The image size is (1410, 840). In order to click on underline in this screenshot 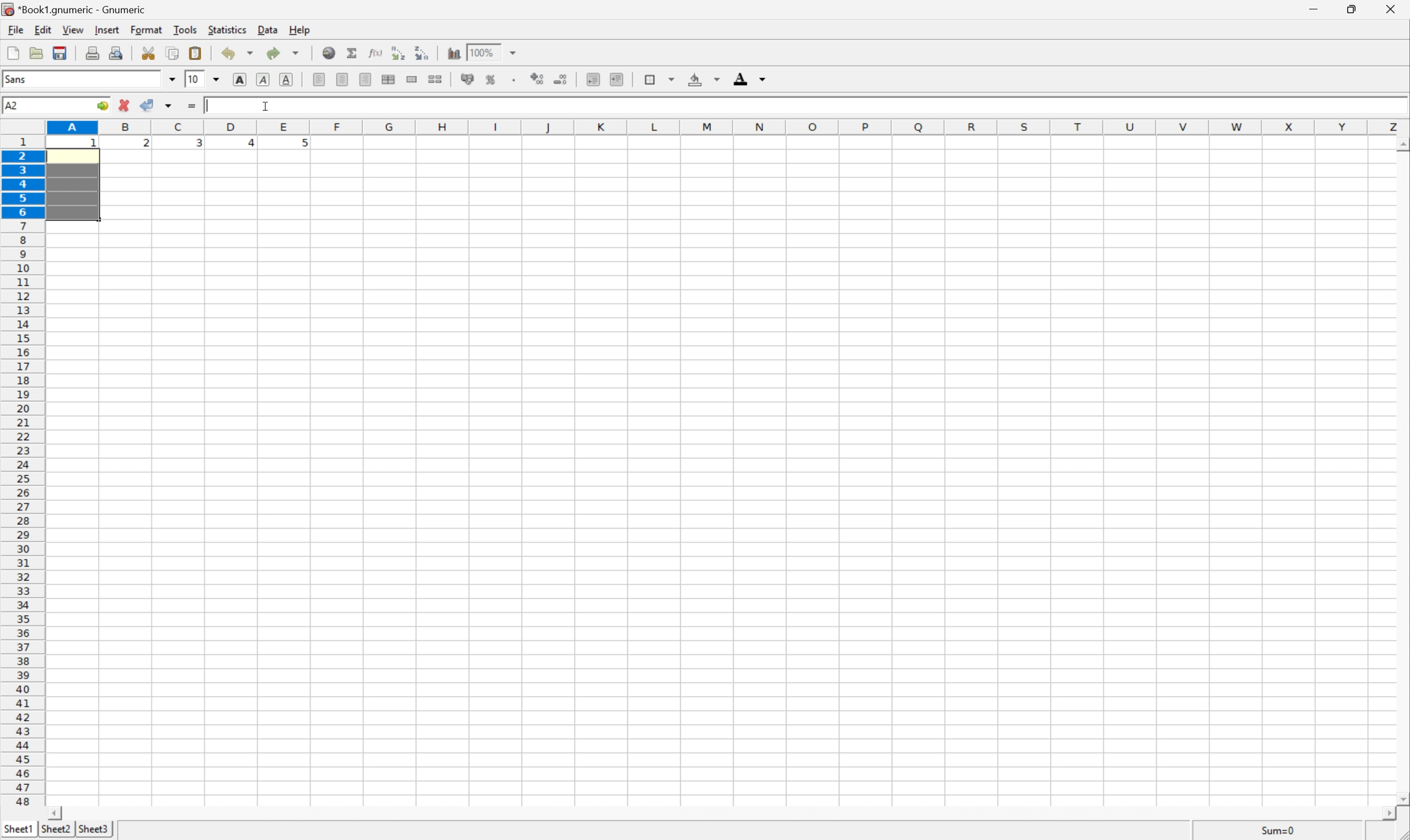, I will do `click(288, 79)`.